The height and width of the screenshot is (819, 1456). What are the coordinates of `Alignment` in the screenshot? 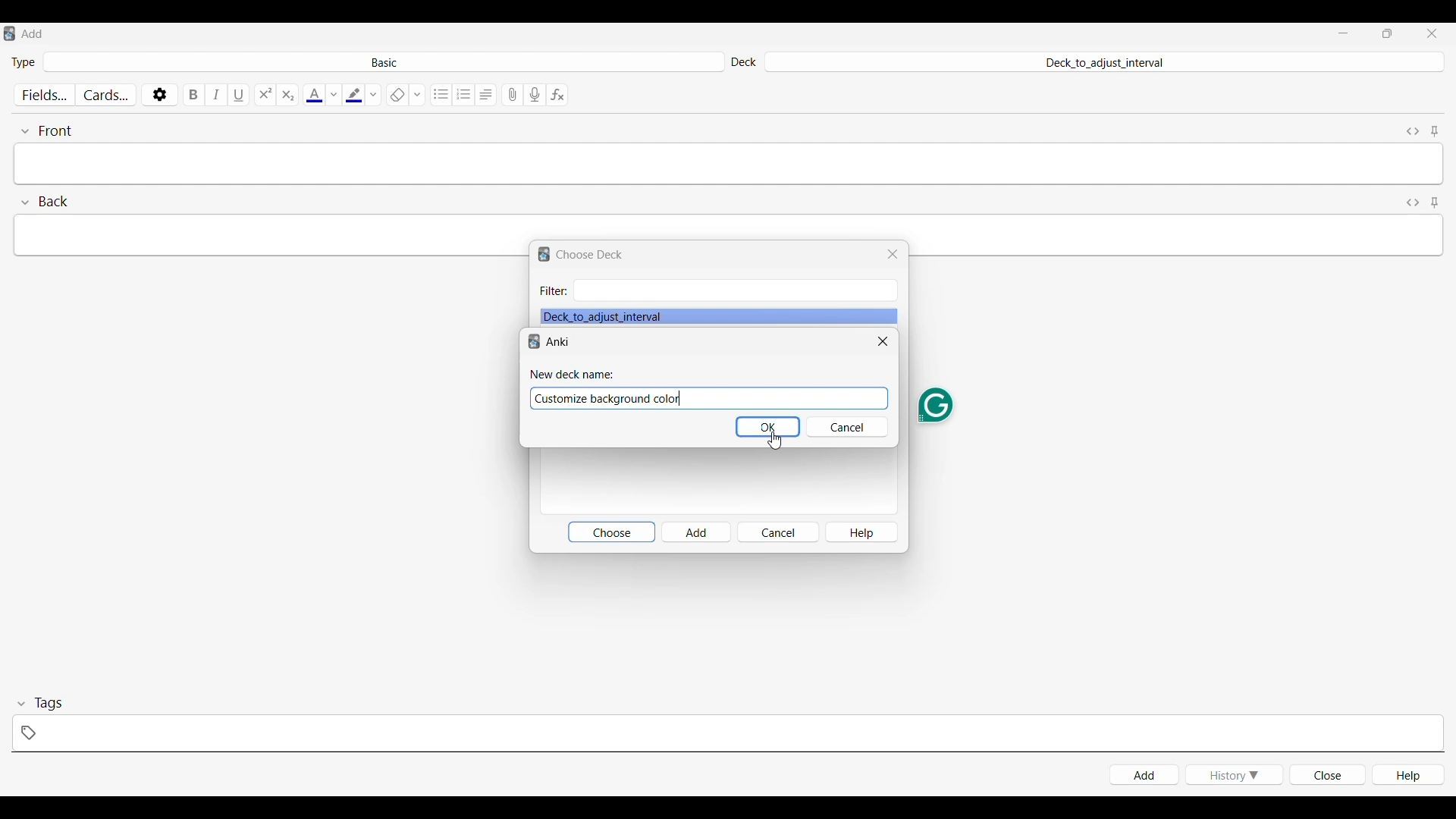 It's located at (486, 95).